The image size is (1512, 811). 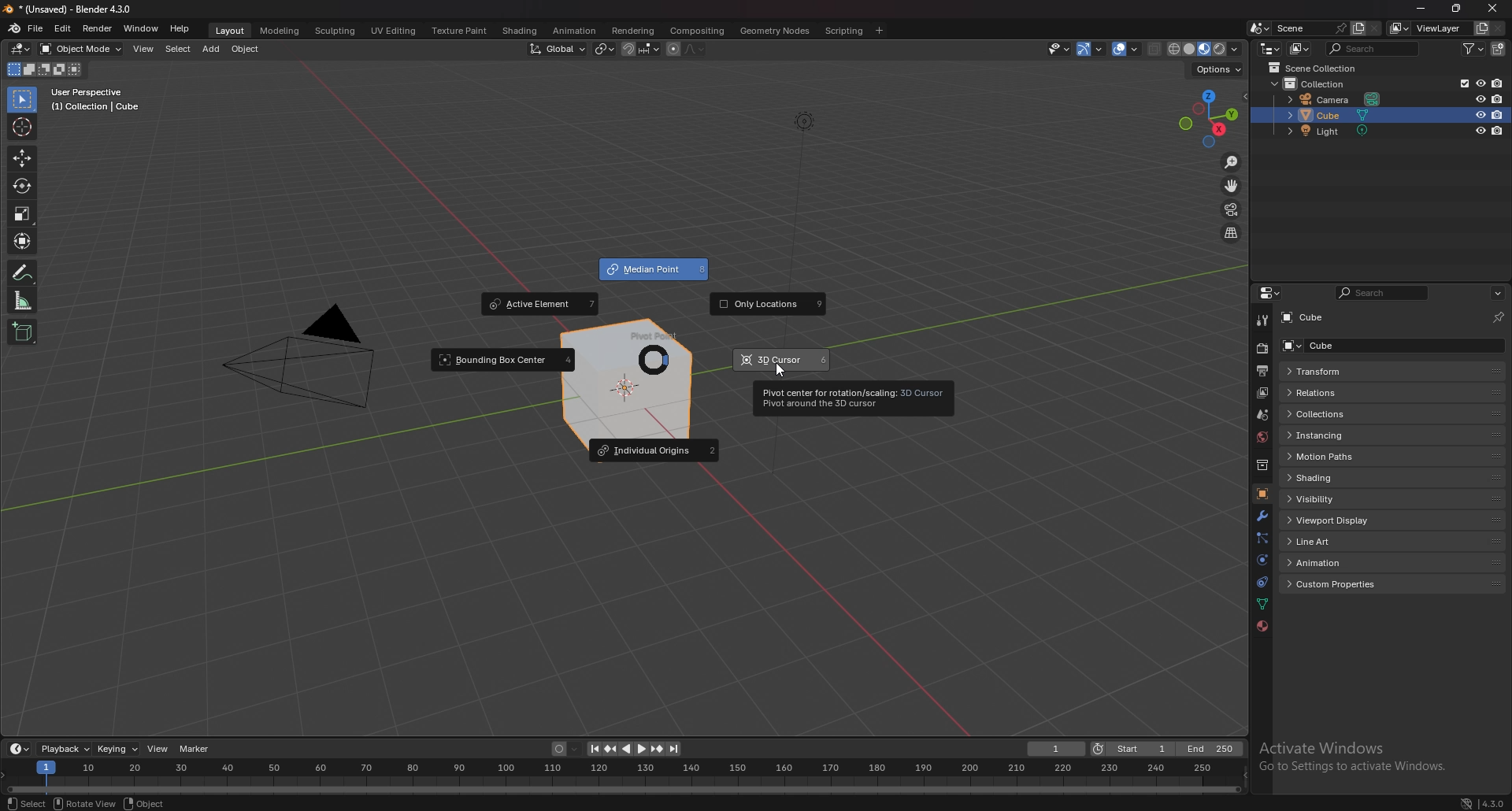 What do you see at coordinates (1427, 28) in the screenshot?
I see `view layer` at bounding box center [1427, 28].